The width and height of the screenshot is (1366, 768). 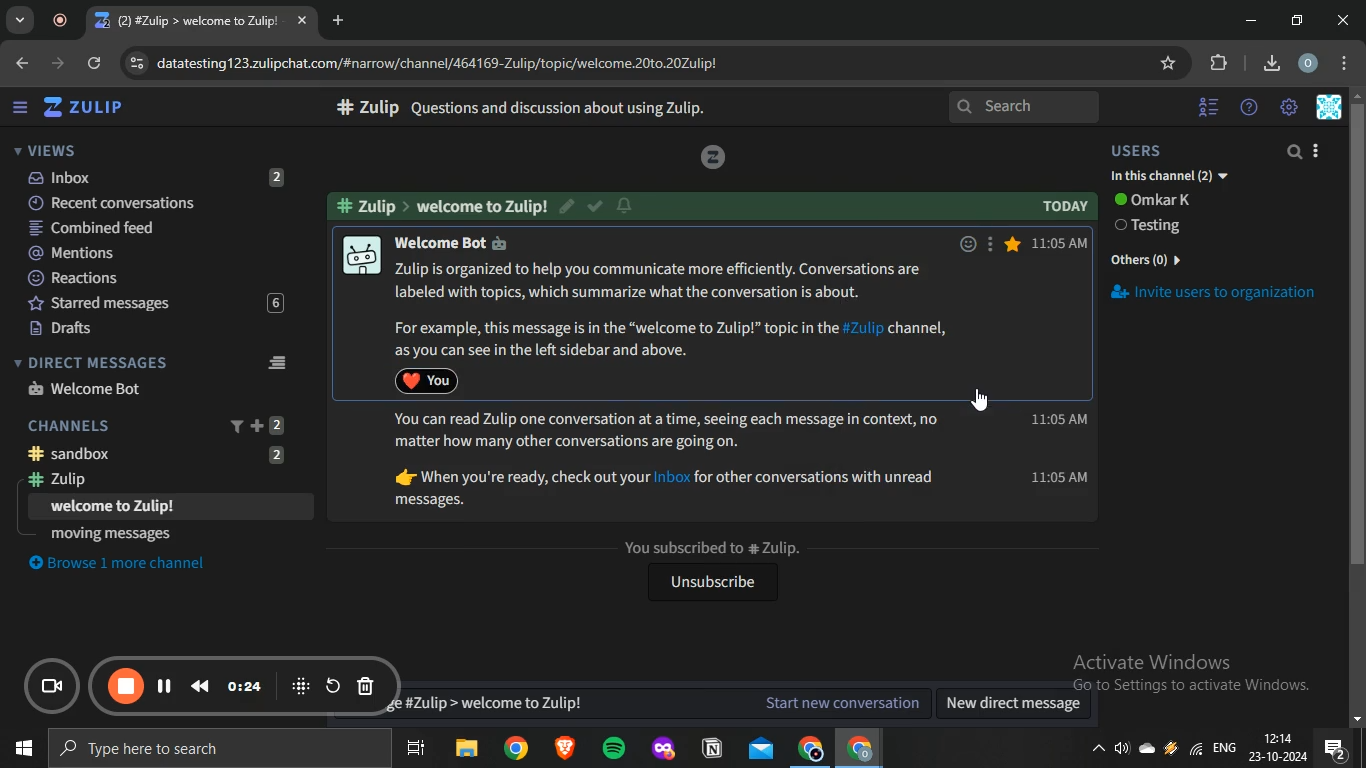 What do you see at coordinates (1277, 749) in the screenshot?
I see `date and time` at bounding box center [1277, 749].